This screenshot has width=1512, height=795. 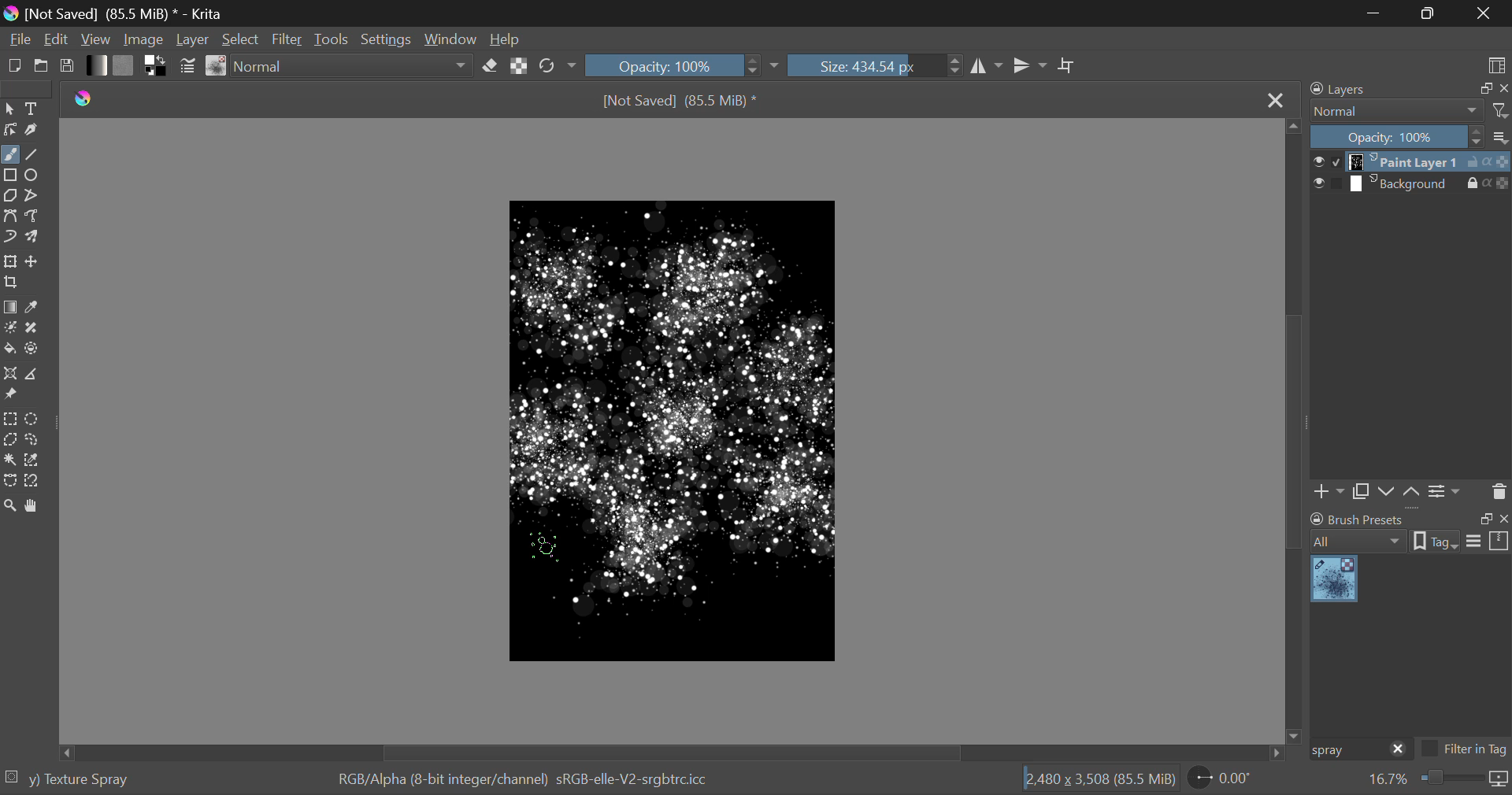 I want to click on close, so click(x=1503, y=519).